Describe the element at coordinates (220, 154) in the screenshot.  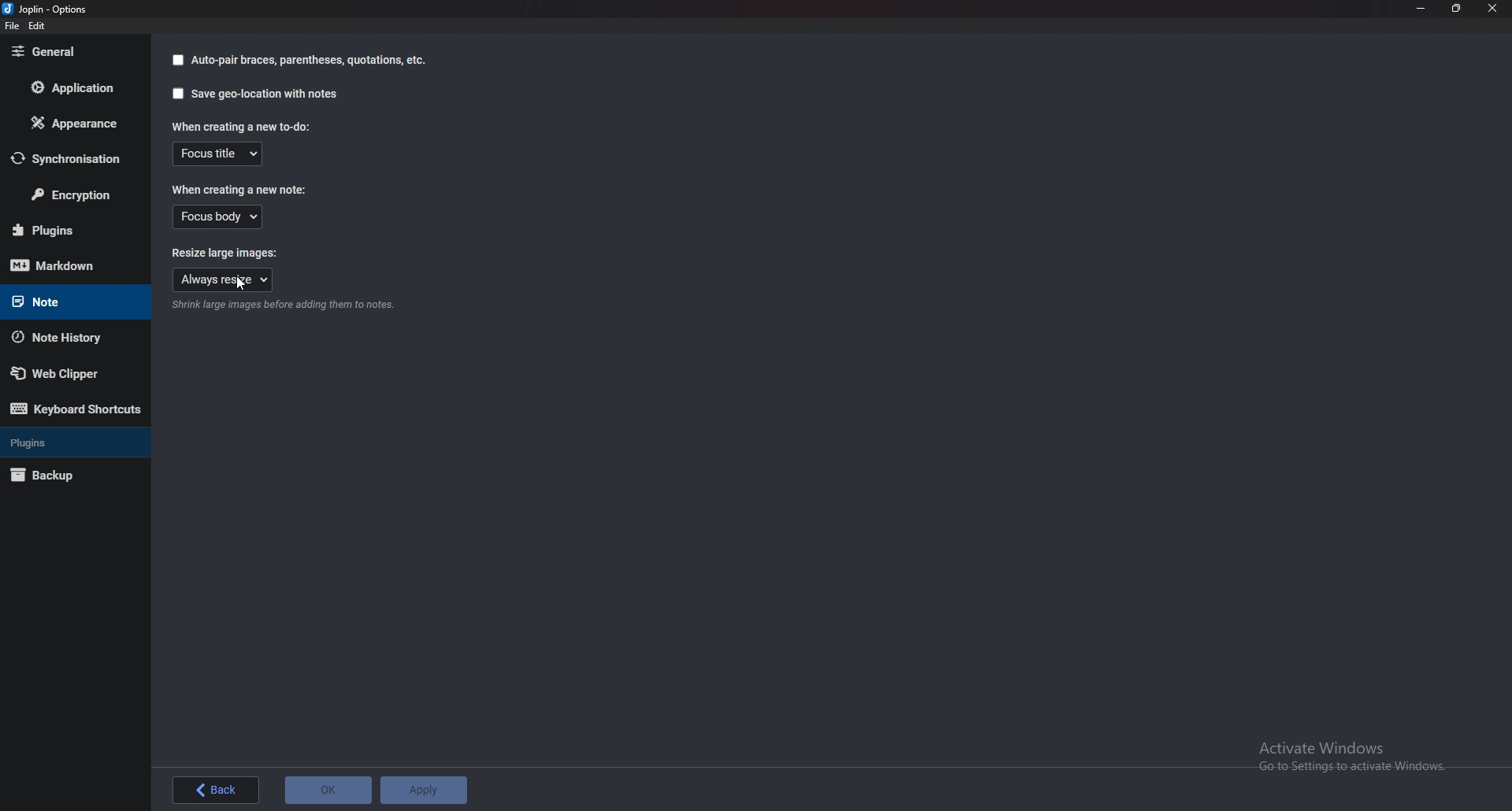
I see `Focus title` at that location.